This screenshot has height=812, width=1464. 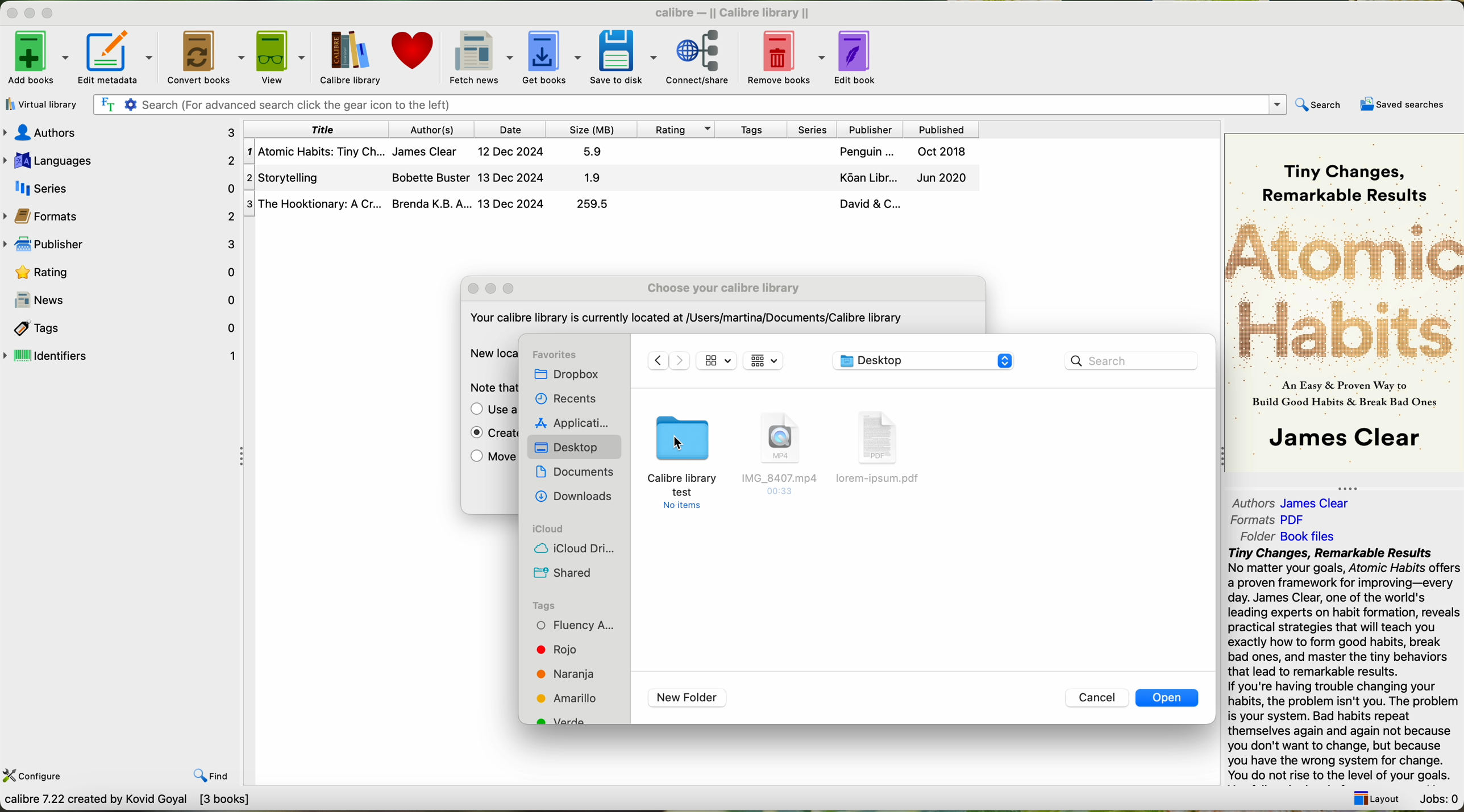 I want to click on move, so click(x=490, y=459).